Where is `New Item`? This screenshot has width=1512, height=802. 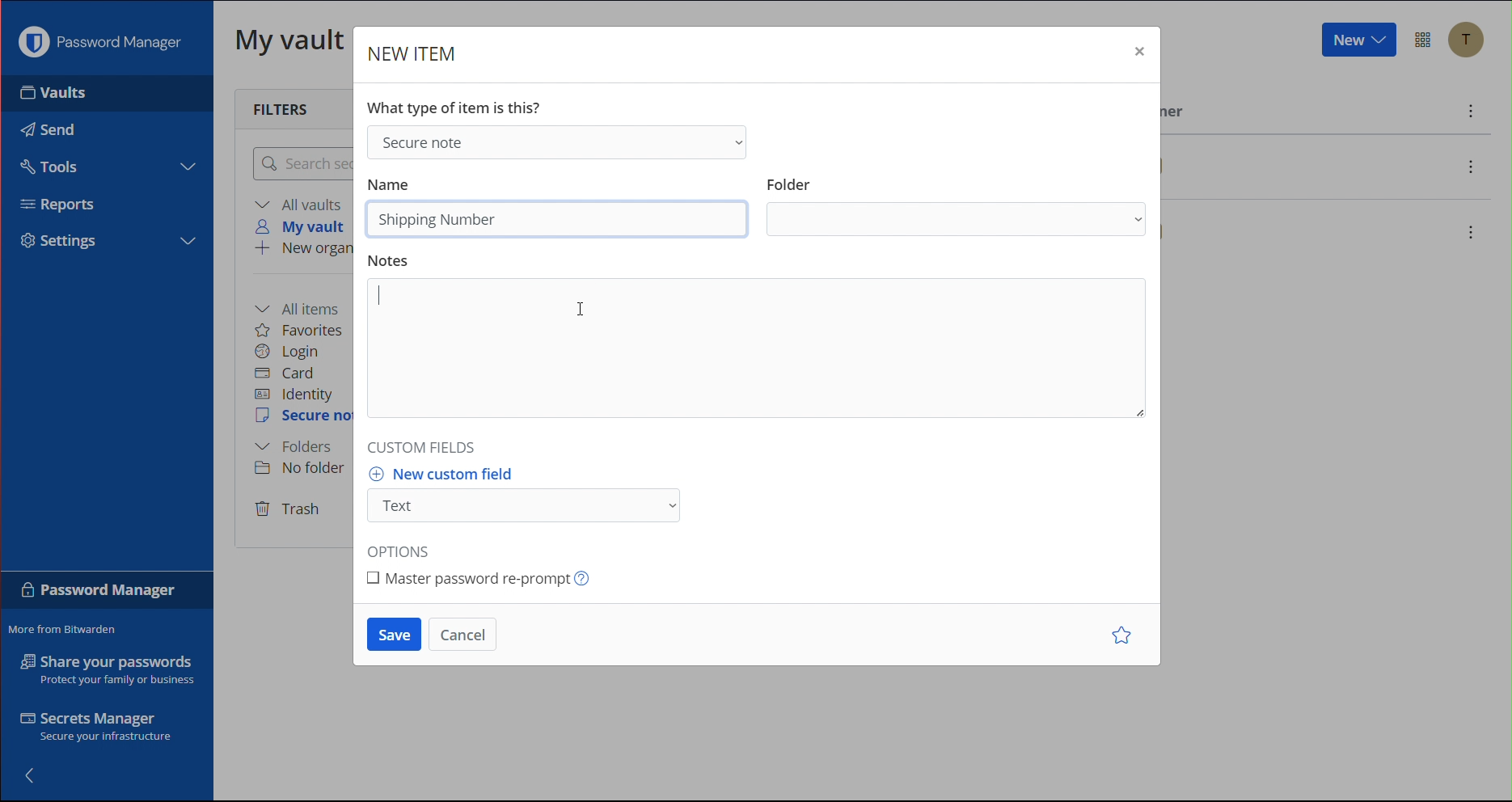
New Item is located at coordinates (419, 54).